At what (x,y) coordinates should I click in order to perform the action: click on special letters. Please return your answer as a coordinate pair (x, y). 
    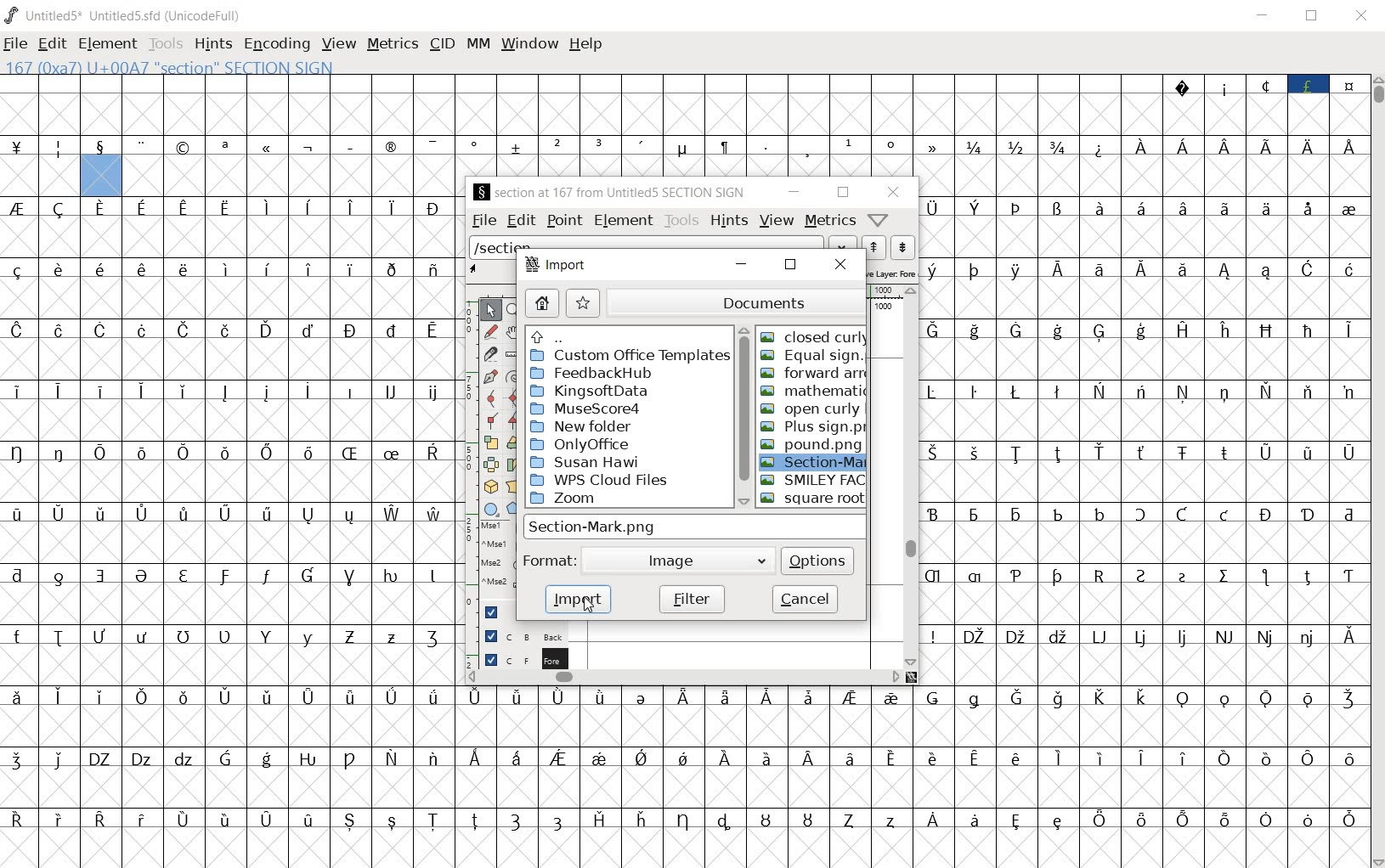
    Looking at the image, I should click on (235, 206).